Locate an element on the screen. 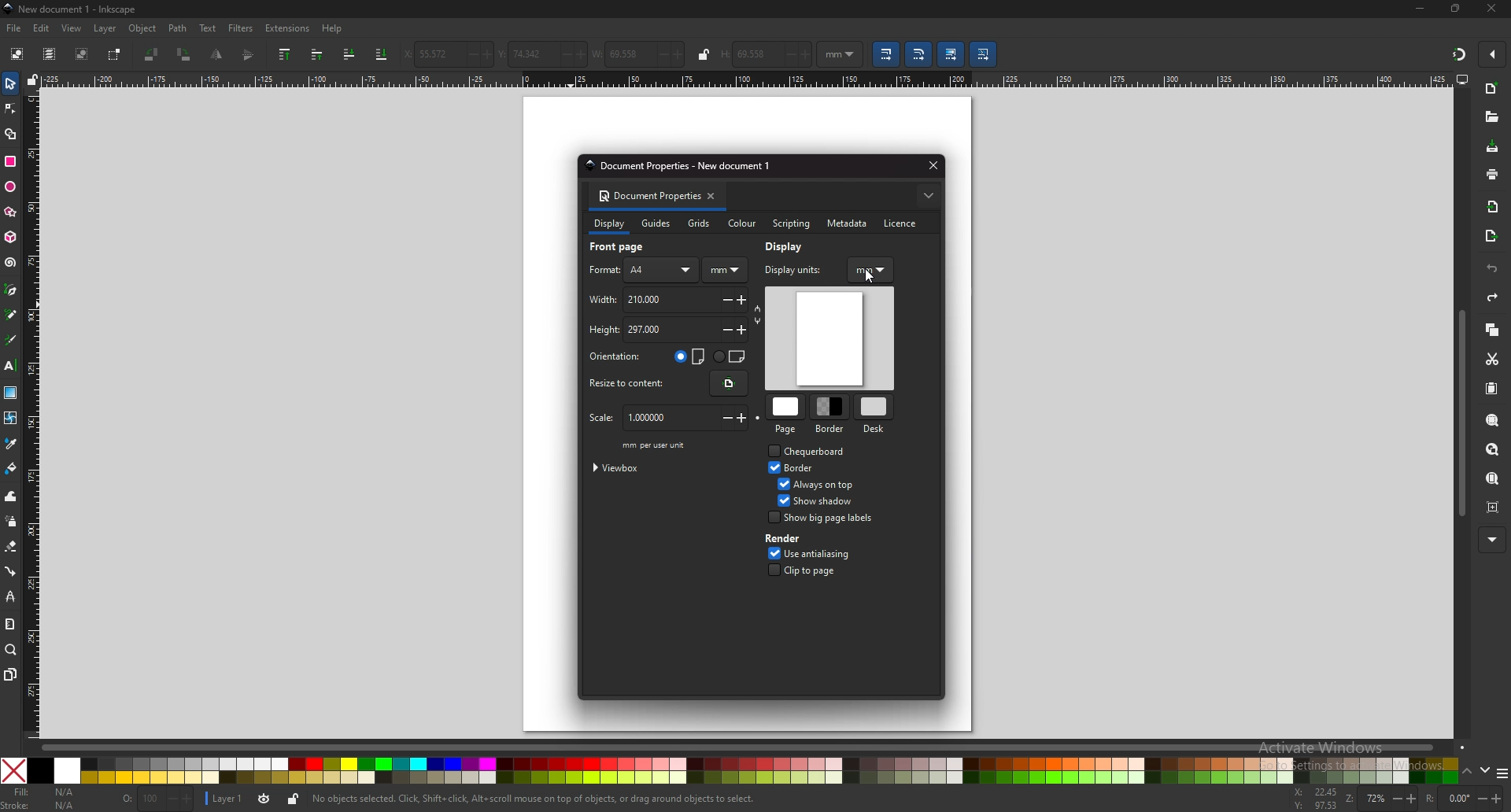 The height and width of the screenshot is (812, 1511). + is located at coordinates (744, 330).